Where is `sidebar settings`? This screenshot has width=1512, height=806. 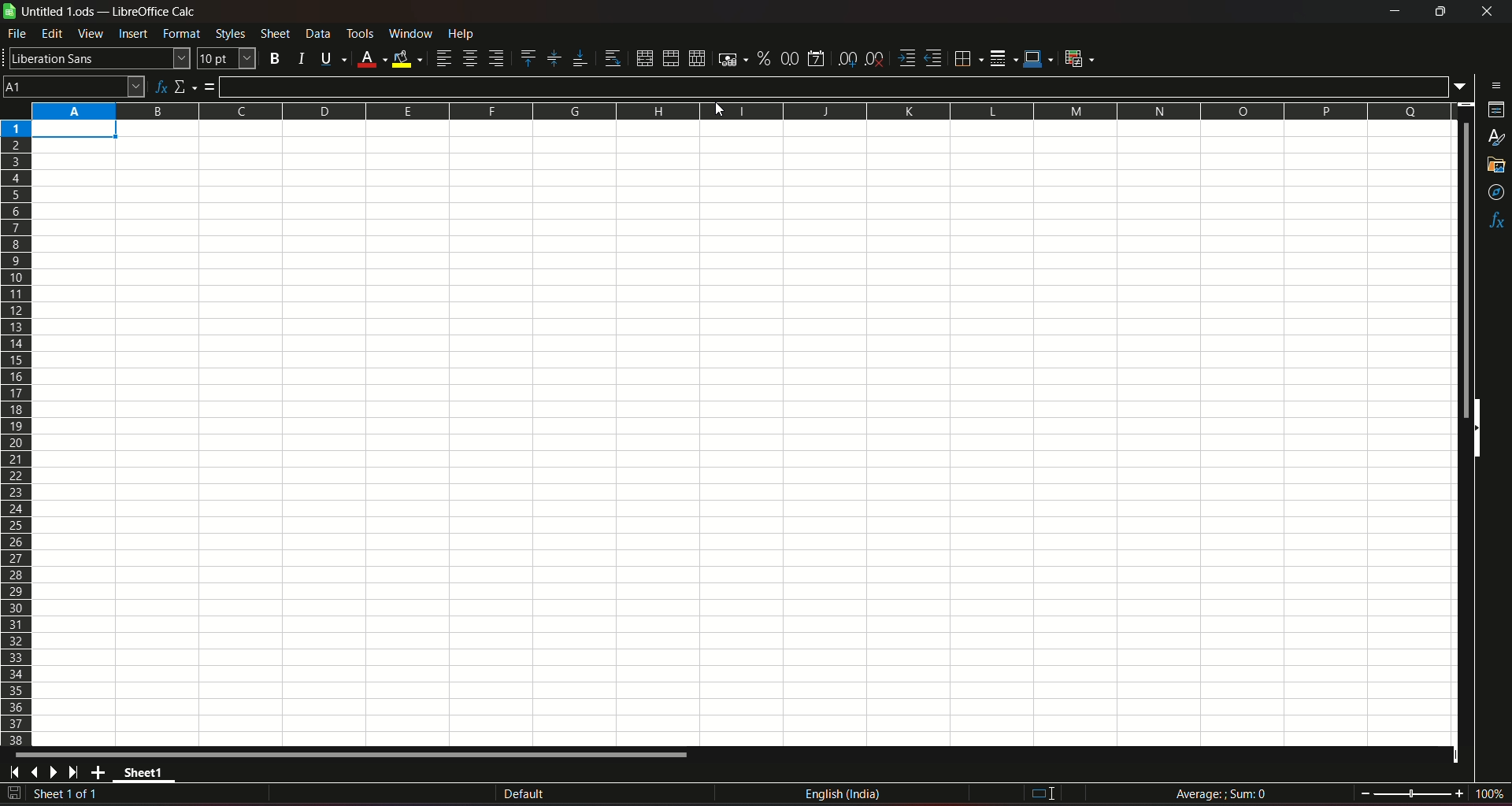 sidebar settings is located at coordinates (1492, 84).